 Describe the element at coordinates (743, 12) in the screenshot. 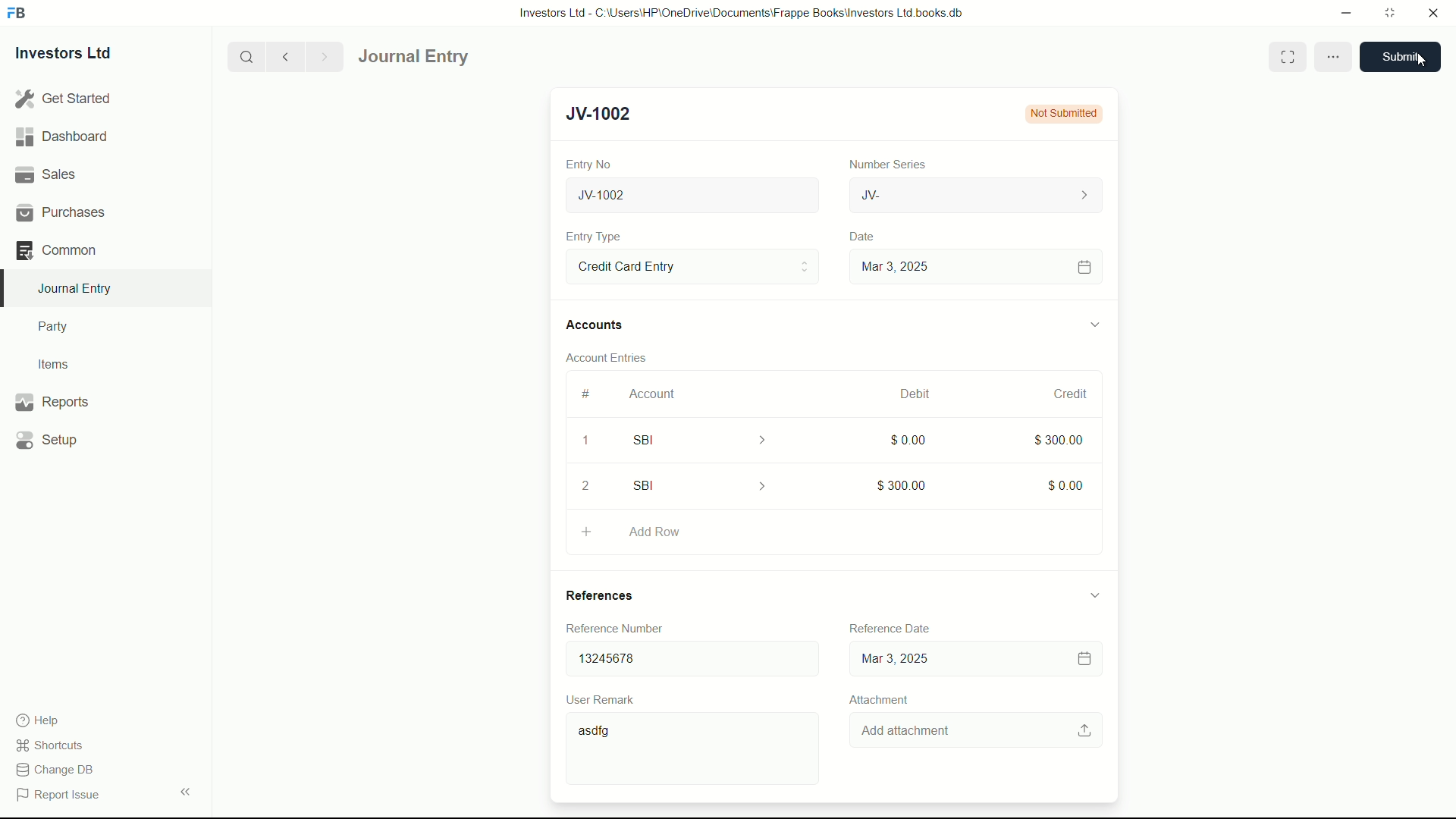

I see `Investors Ltd - C:\Users\HP\OneDrive\Documents\Frappe Books\Investors Ltd books.db` at that location.